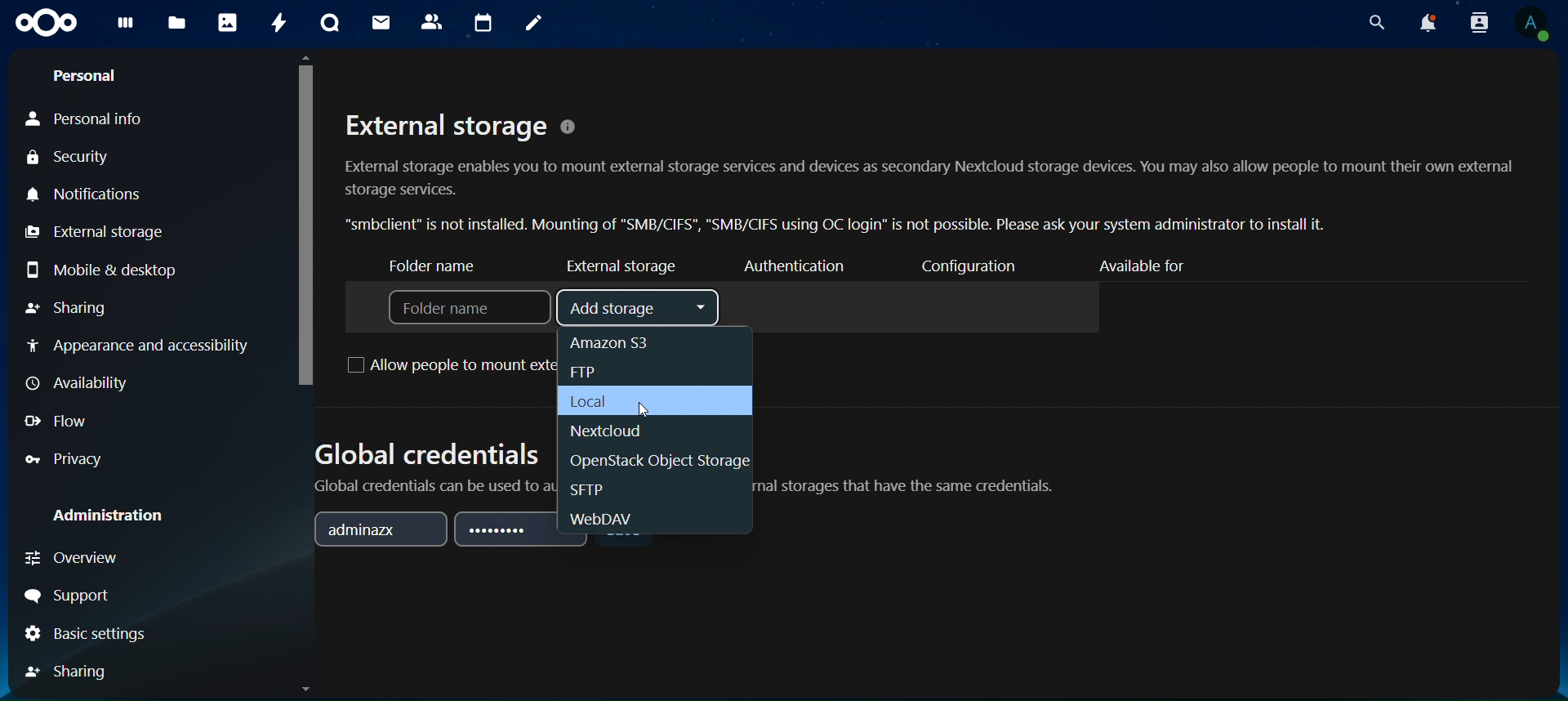 Image resolution: width=1568 pixels, height=701 pixels. What do you see at coordinates (1429, 22) in the screenshot?
I see `notifications` at bounding box center [1429, 22].